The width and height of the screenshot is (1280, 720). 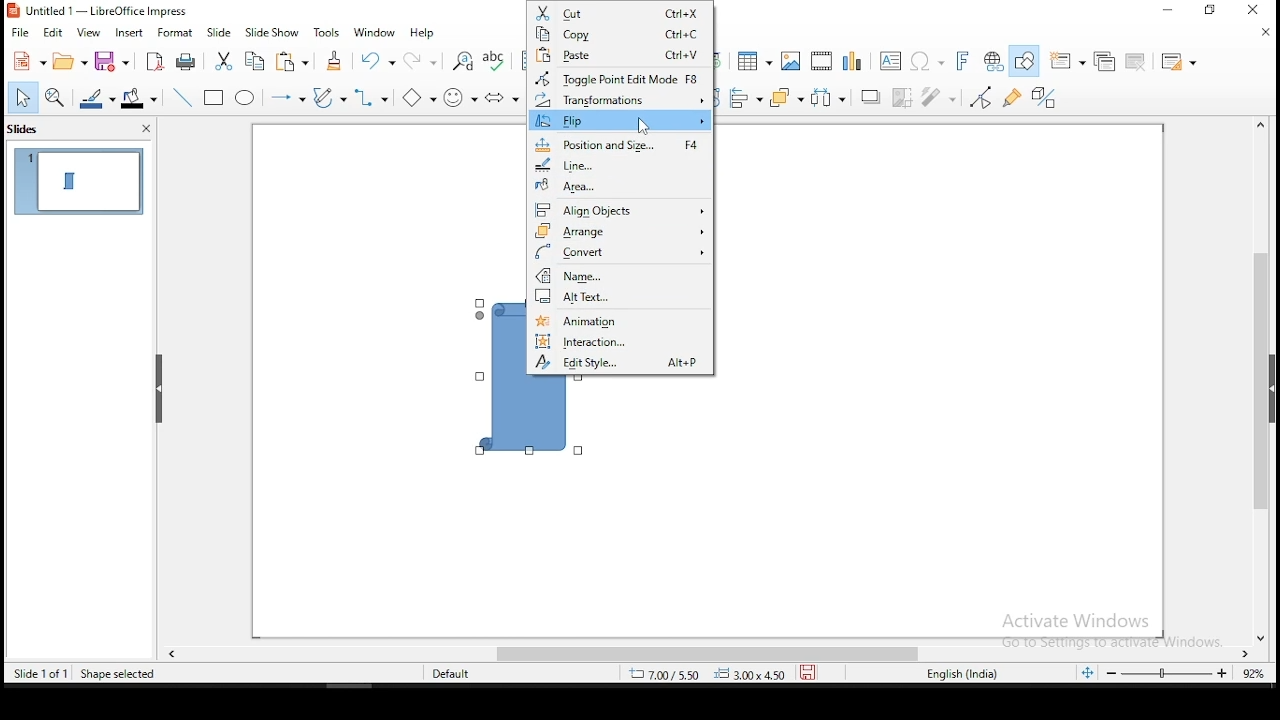 What do you see at coordinates (1027, 61) in the screenshot?
I see `show draw functions` at bounding box center [1027, 61].